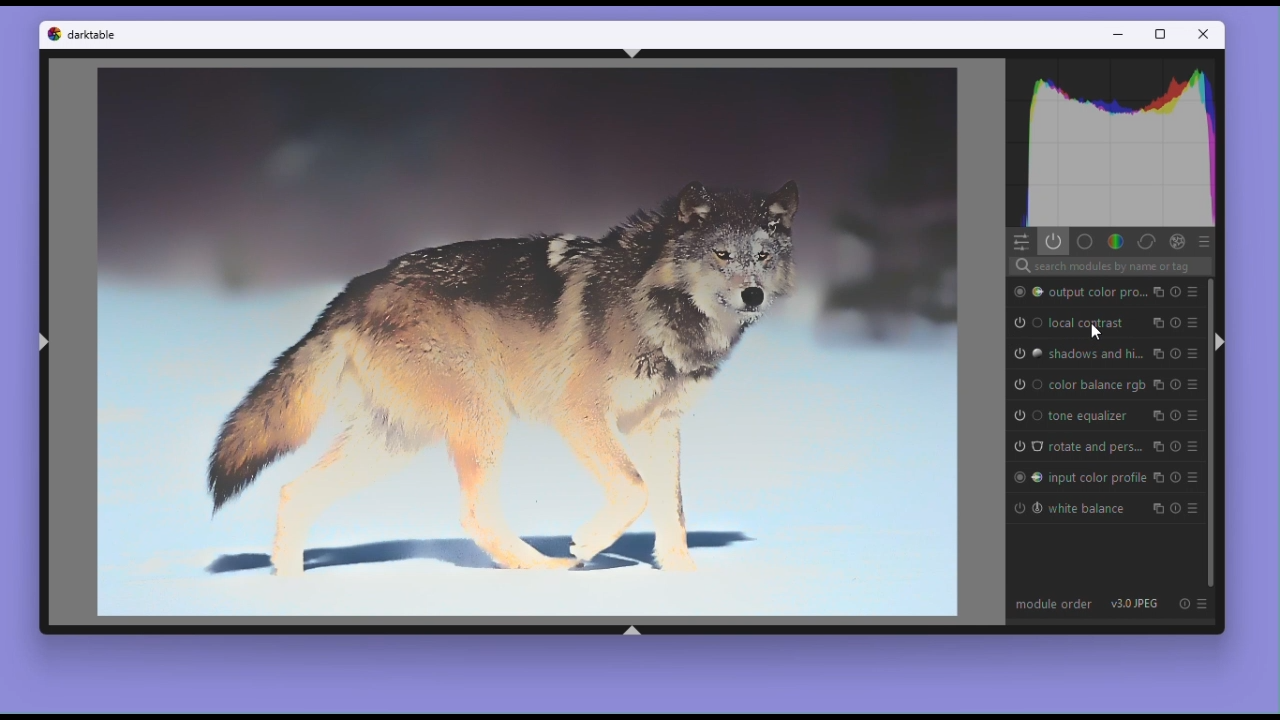  Describe the element at coordinates (1020, 242) in the screenshot. I see `quick access panel` at that location.